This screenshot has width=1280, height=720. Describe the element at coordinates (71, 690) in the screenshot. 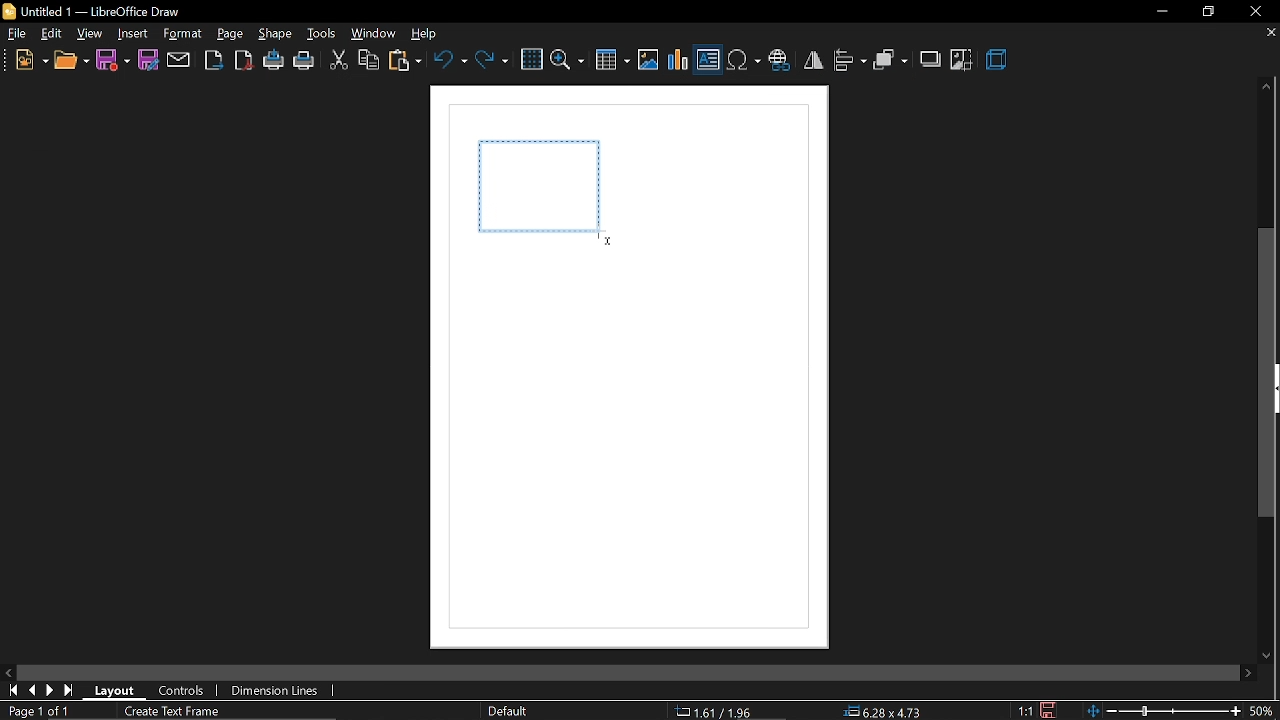

I see `next page` at that location.